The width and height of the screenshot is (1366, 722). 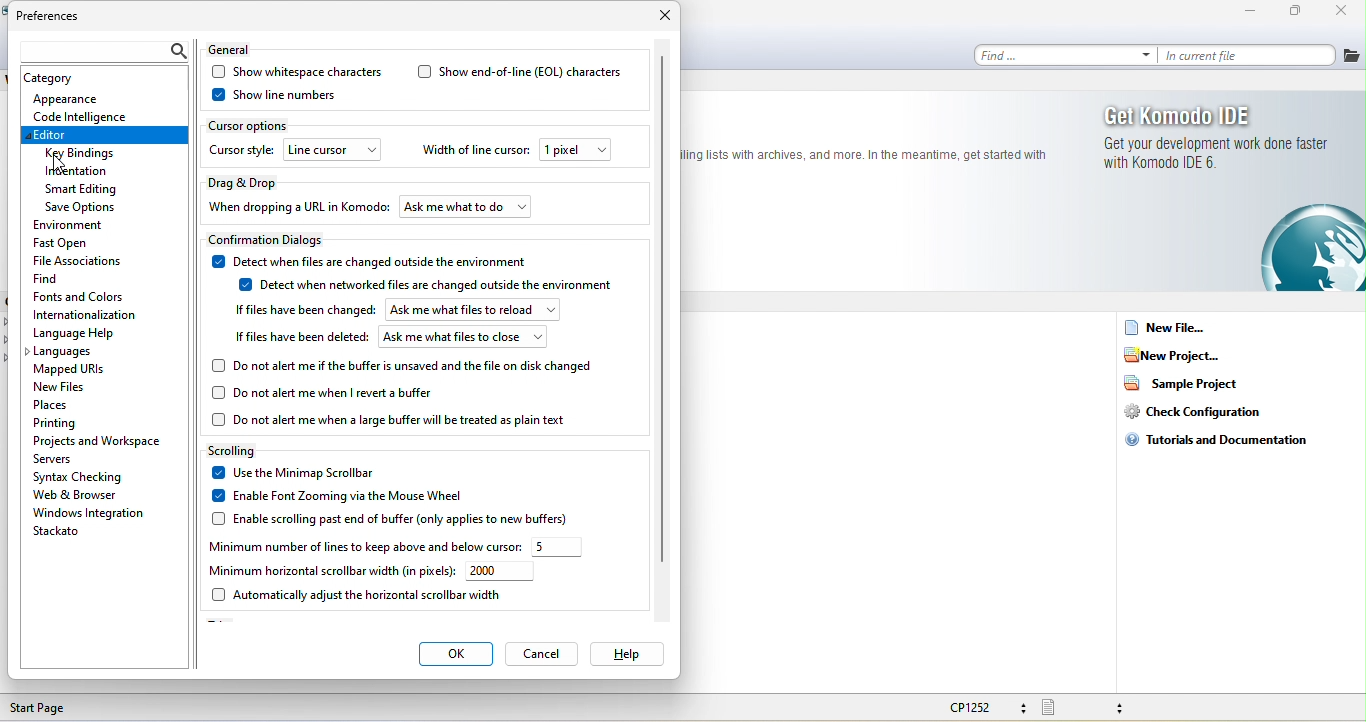 I want to click on syntax checking, so click(x=81, y=476).